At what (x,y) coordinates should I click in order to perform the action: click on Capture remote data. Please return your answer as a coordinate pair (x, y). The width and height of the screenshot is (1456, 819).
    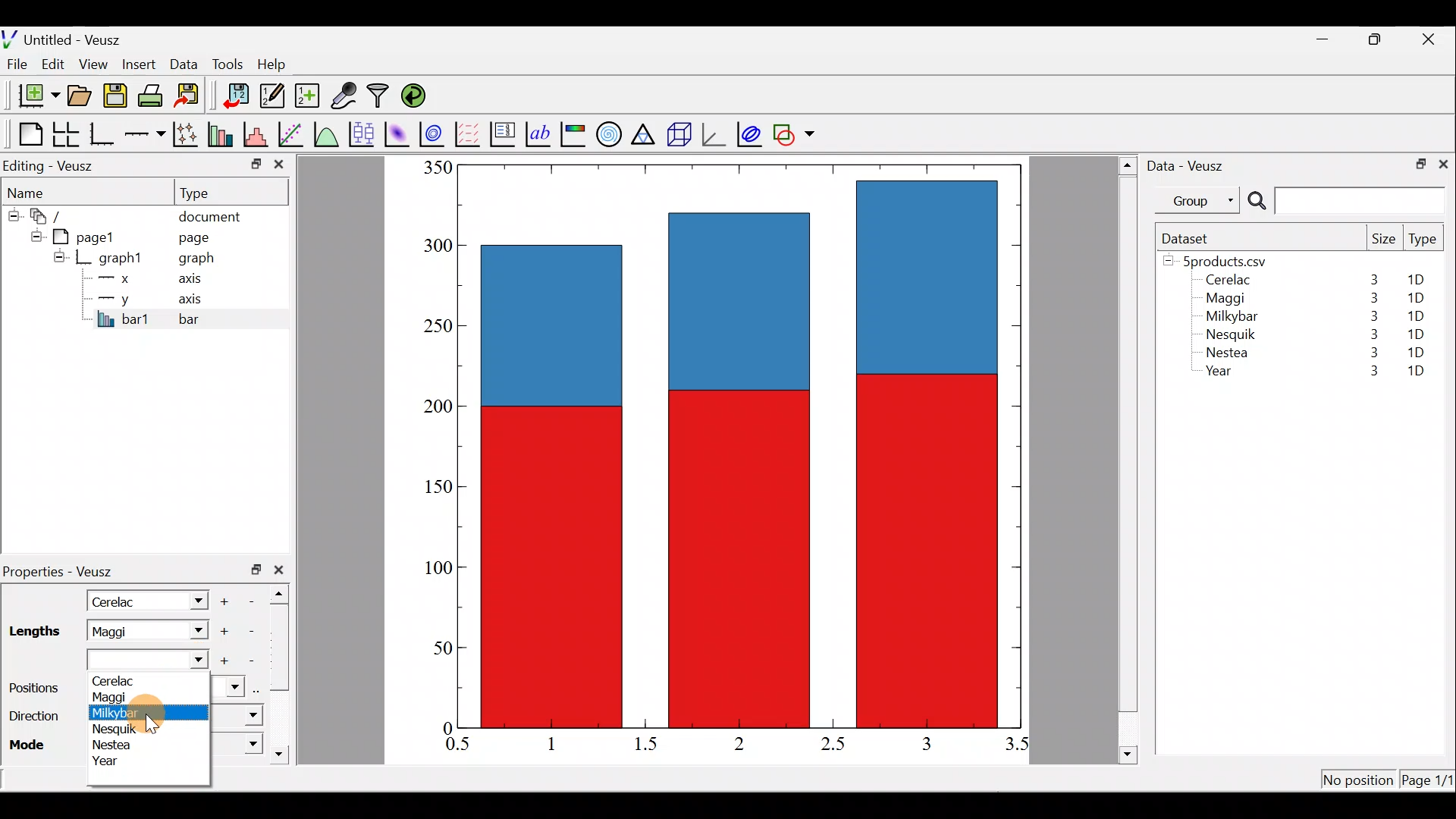
    Looking at the image, I should click on (345, 96).